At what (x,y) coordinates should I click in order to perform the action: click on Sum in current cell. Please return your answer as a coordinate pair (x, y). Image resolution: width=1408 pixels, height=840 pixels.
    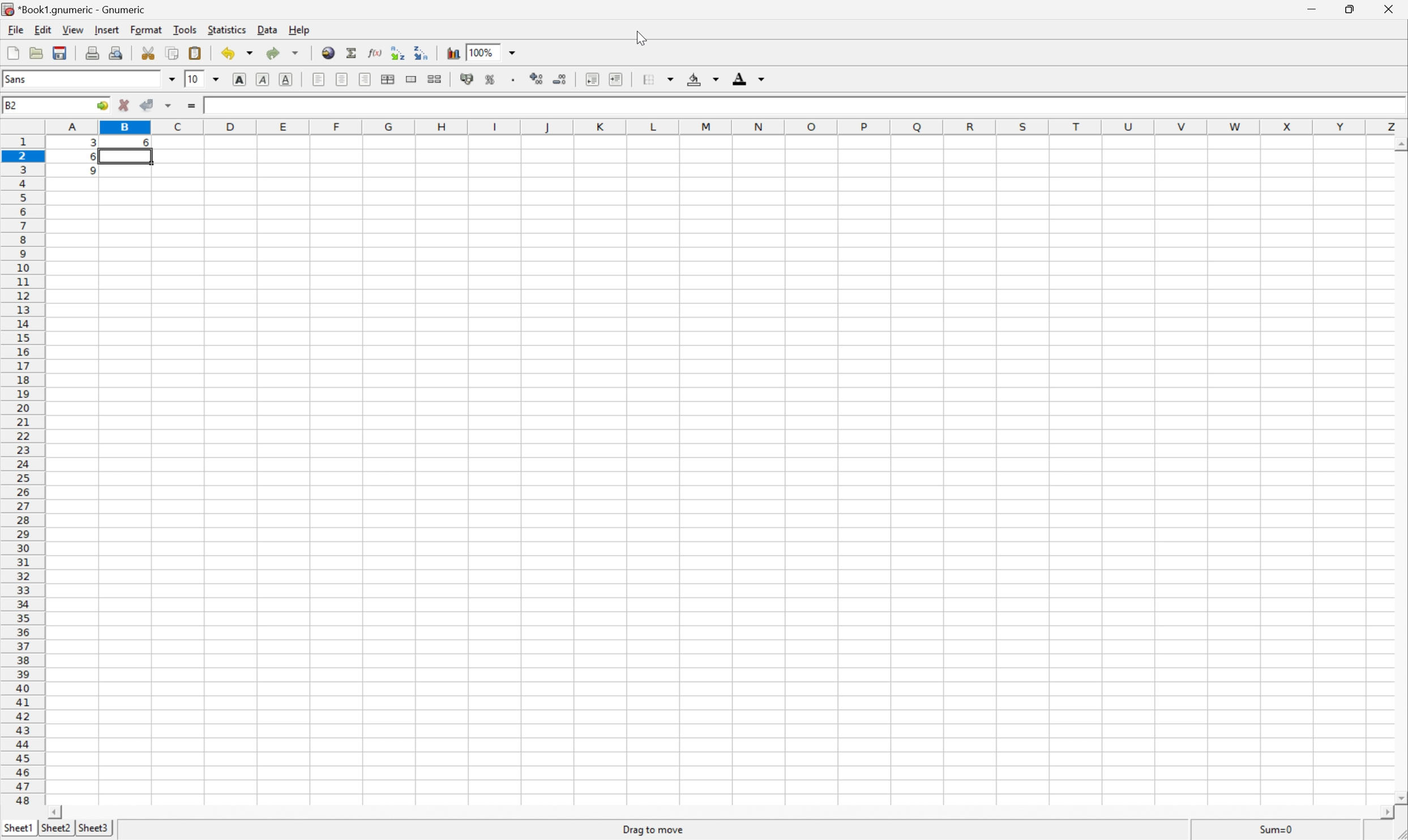
    Looking at the image, I should click on (352, 53).